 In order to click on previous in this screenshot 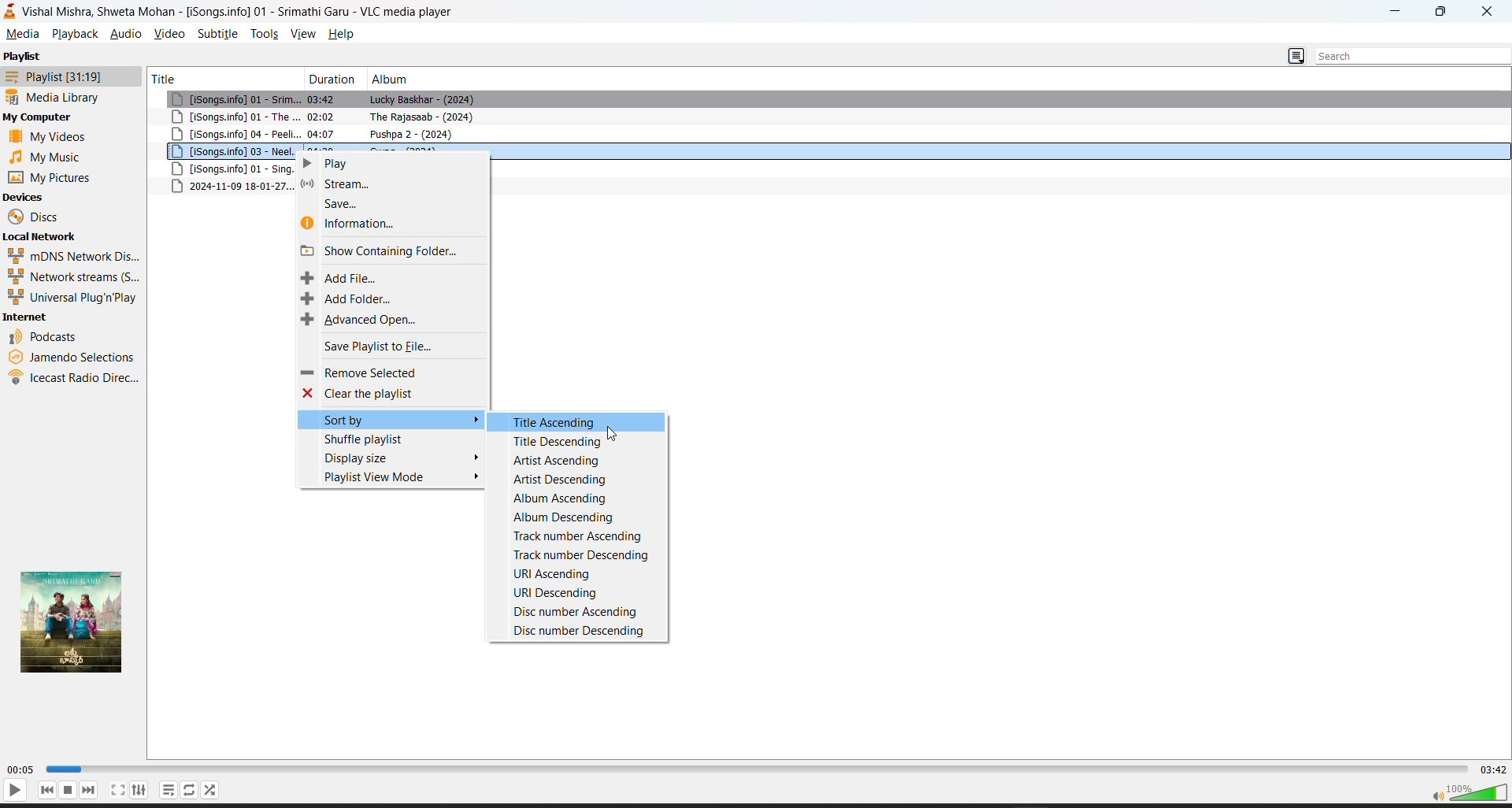, I will do `click(47, 790)`.